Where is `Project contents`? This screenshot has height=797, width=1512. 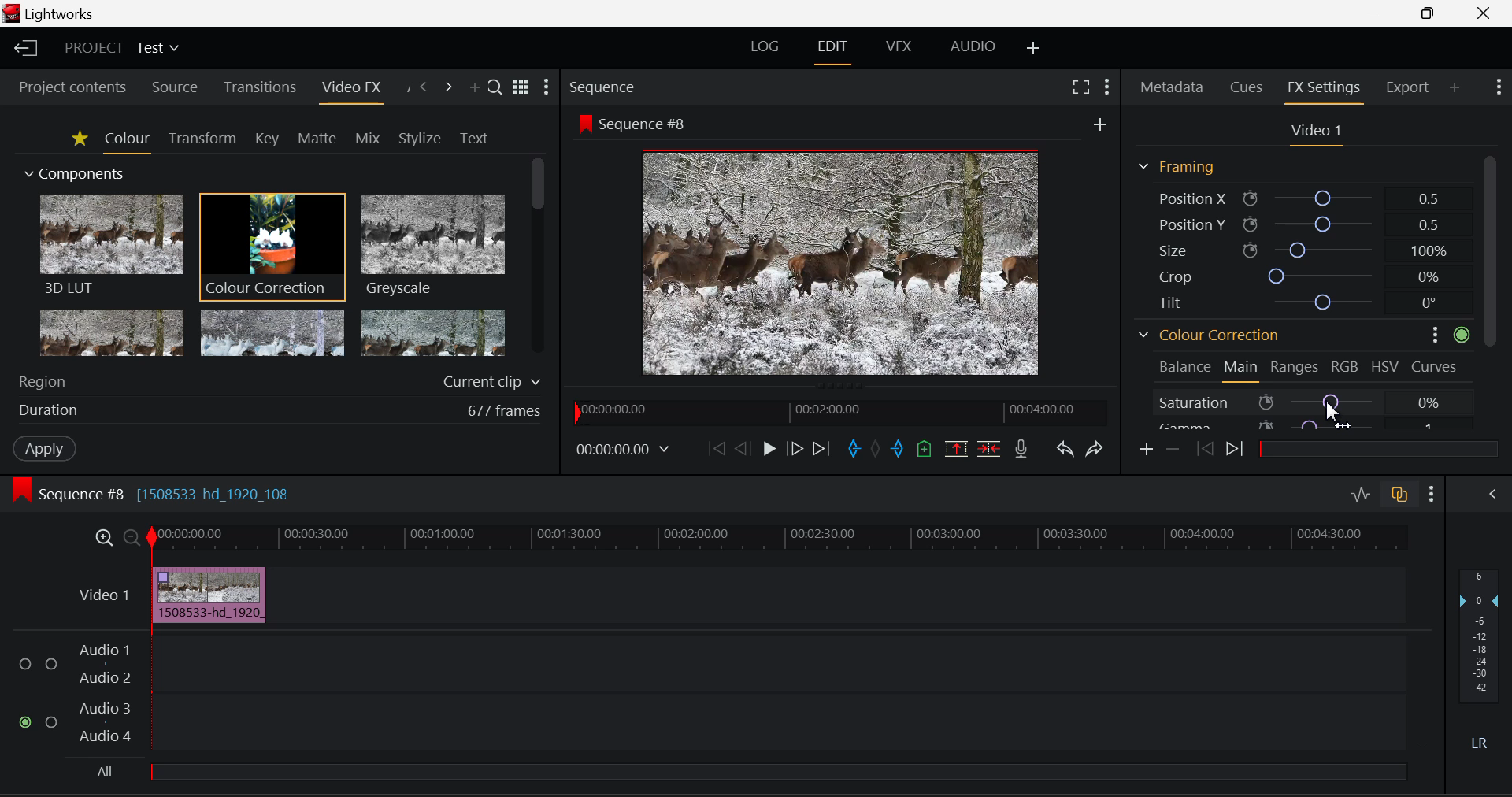 Project contents is located at coordinates (67, 86).